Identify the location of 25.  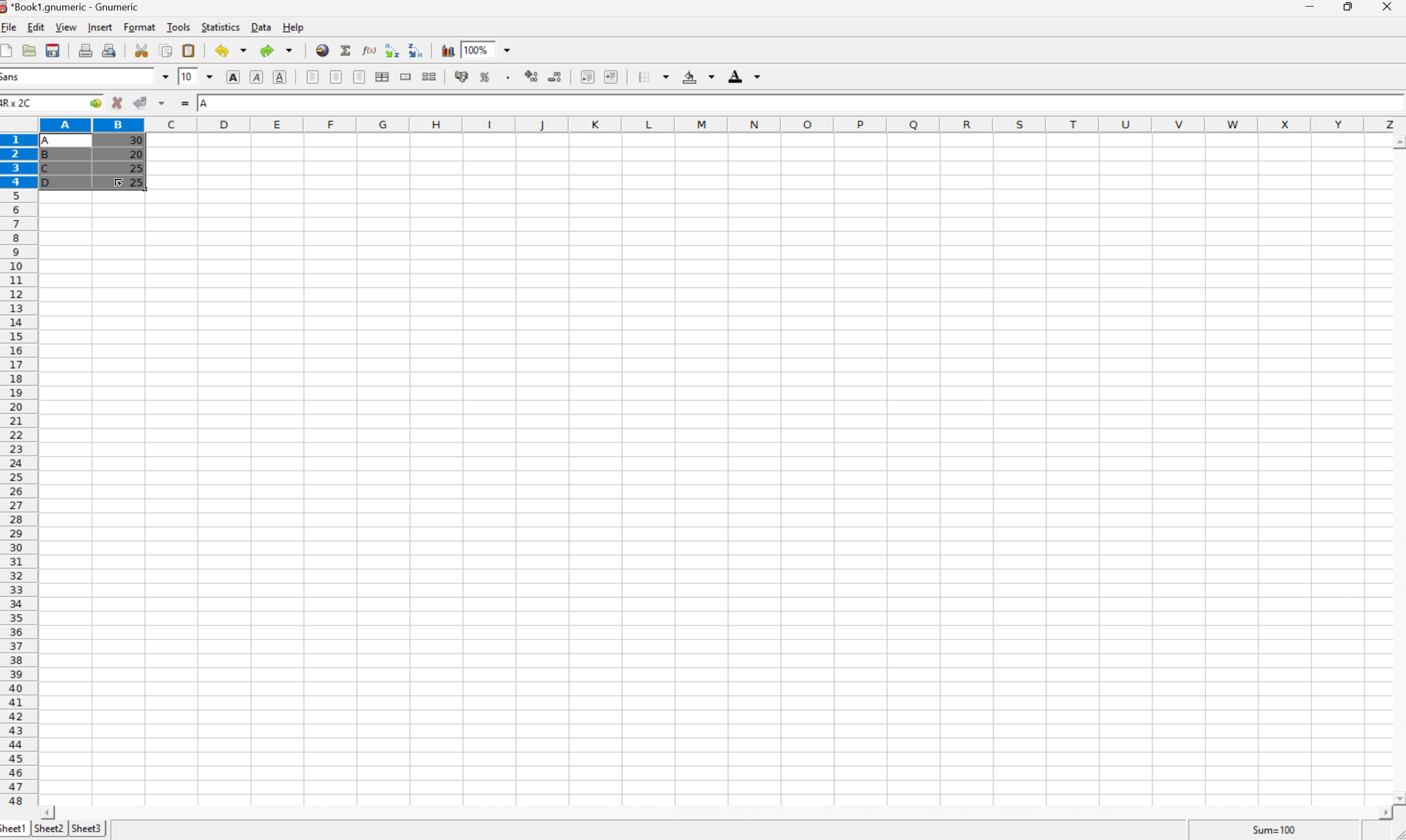
(135, 168).